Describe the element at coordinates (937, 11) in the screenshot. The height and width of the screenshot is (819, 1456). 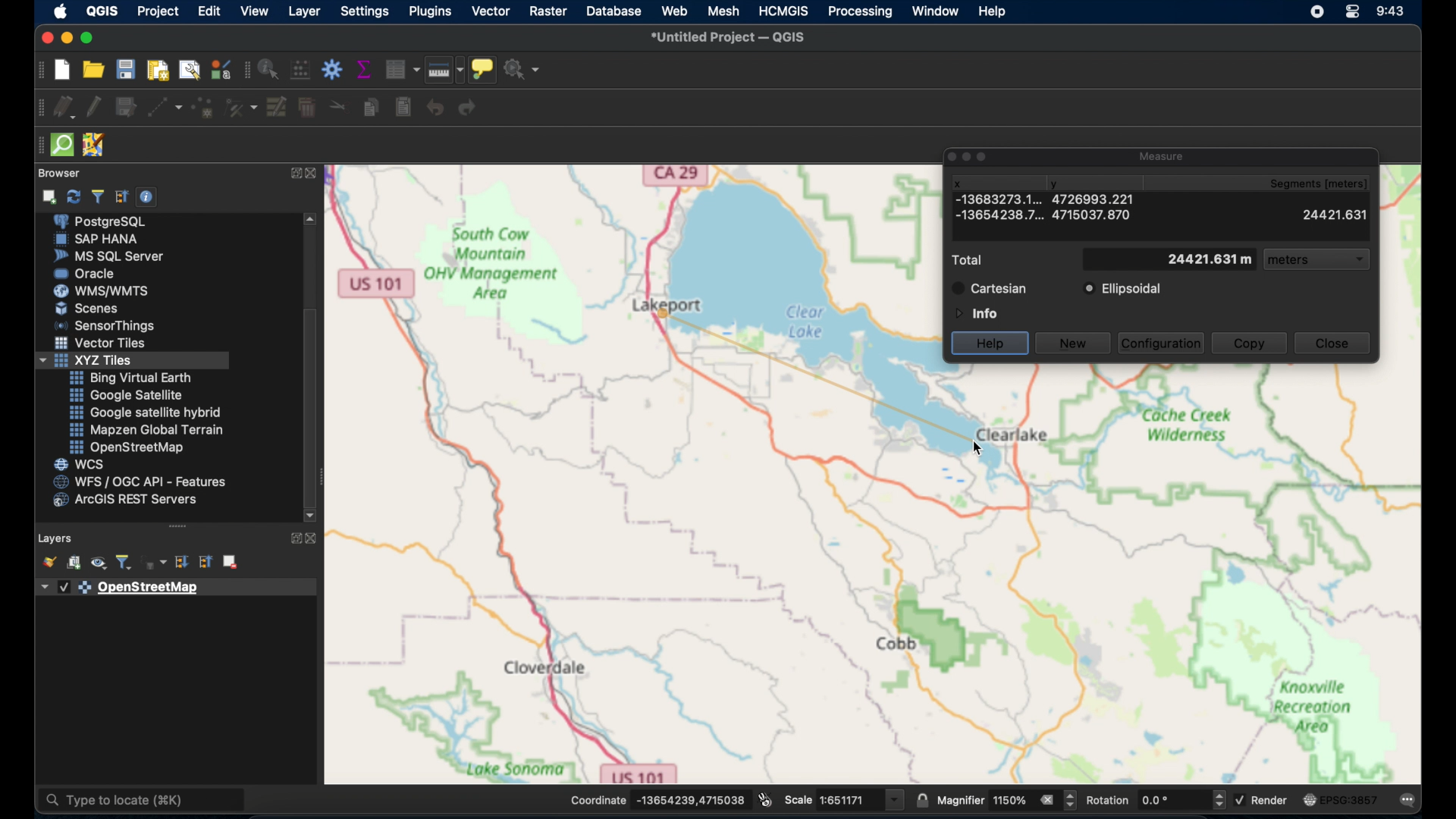
I see `window` at that location.